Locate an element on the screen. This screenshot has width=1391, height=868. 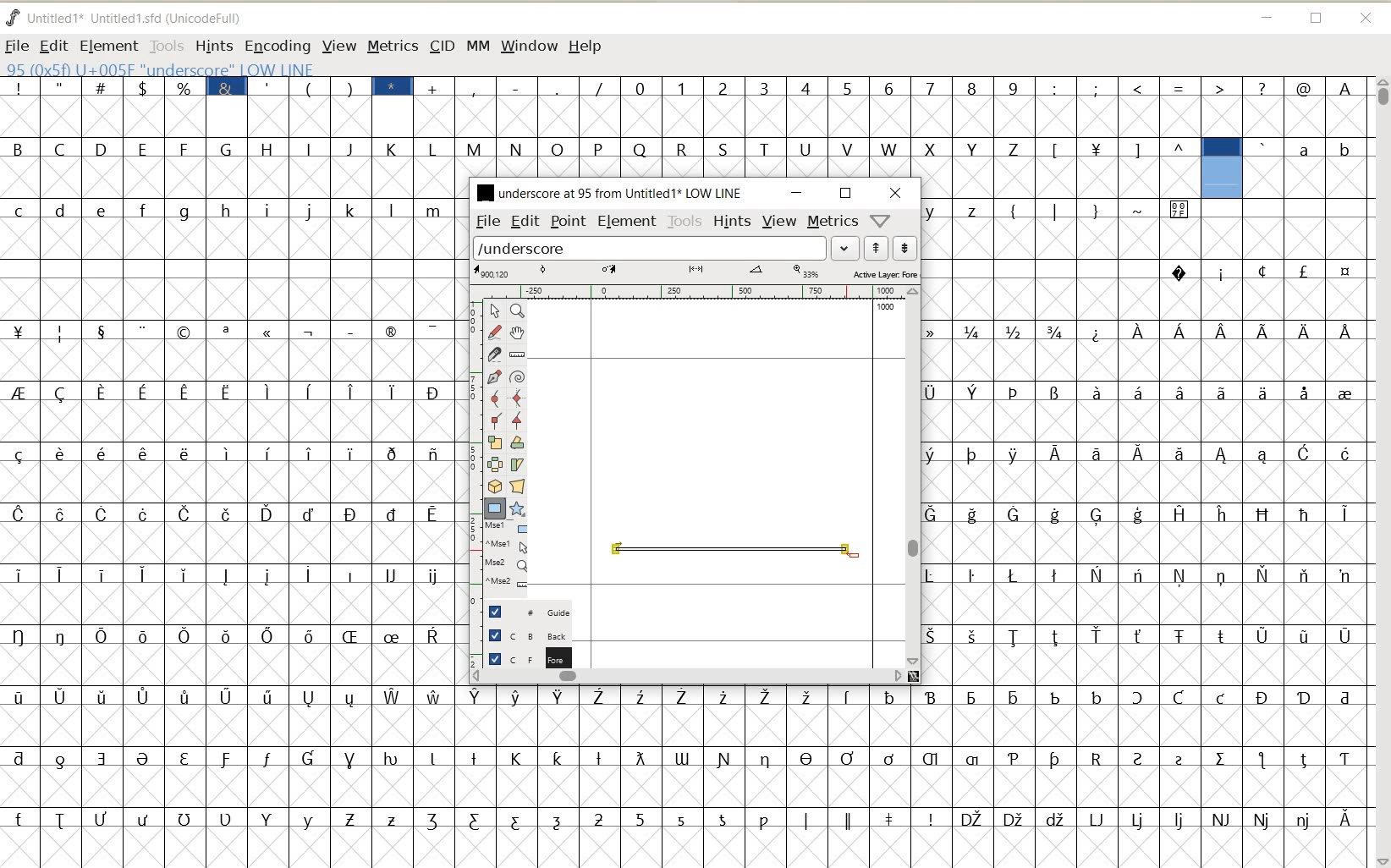
ELLIPSE TOOL/CURSOR POSITION is located at coordinates (855, 556).